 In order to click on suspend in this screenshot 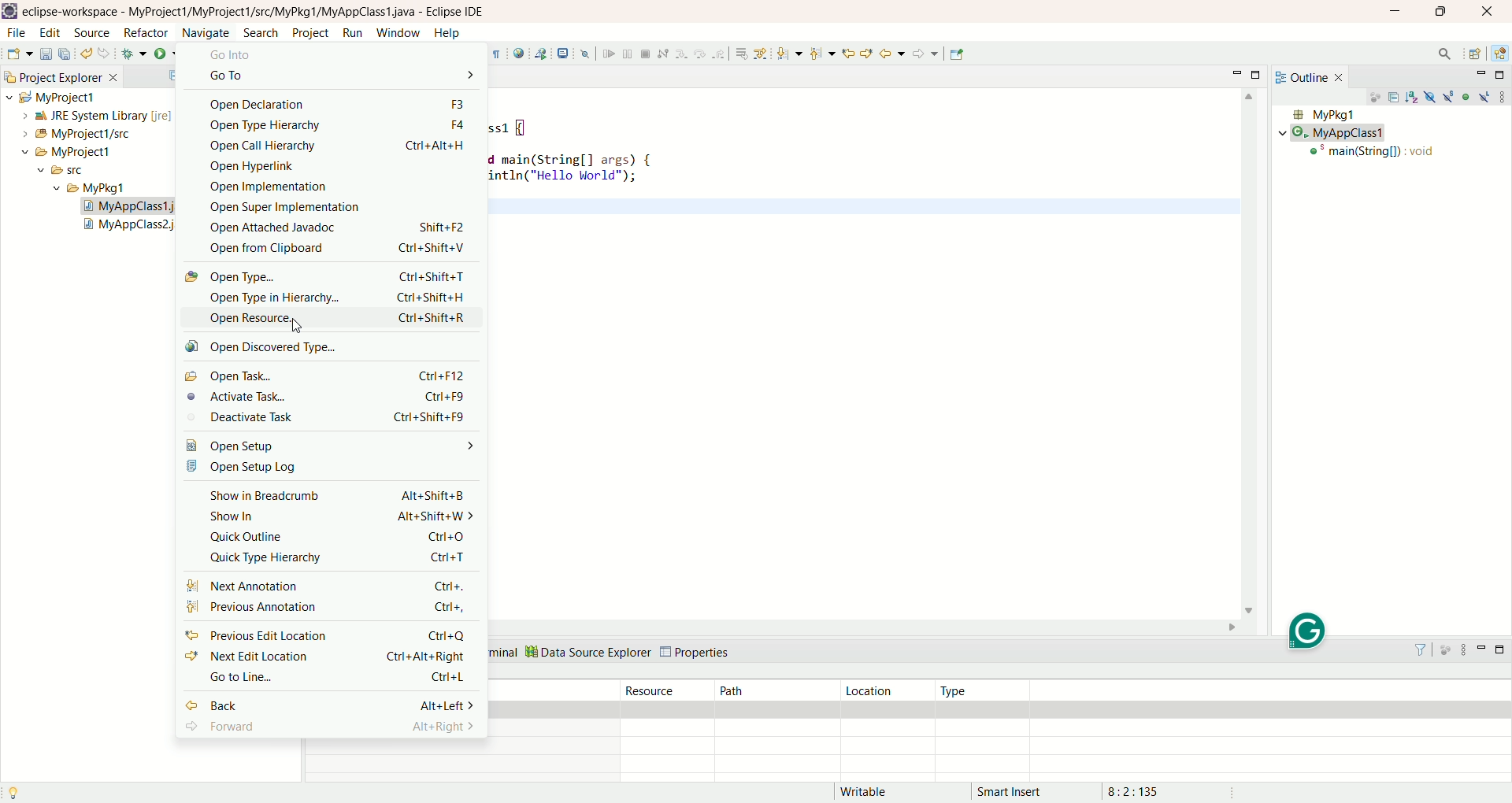, I will do `click(627, 56)`.